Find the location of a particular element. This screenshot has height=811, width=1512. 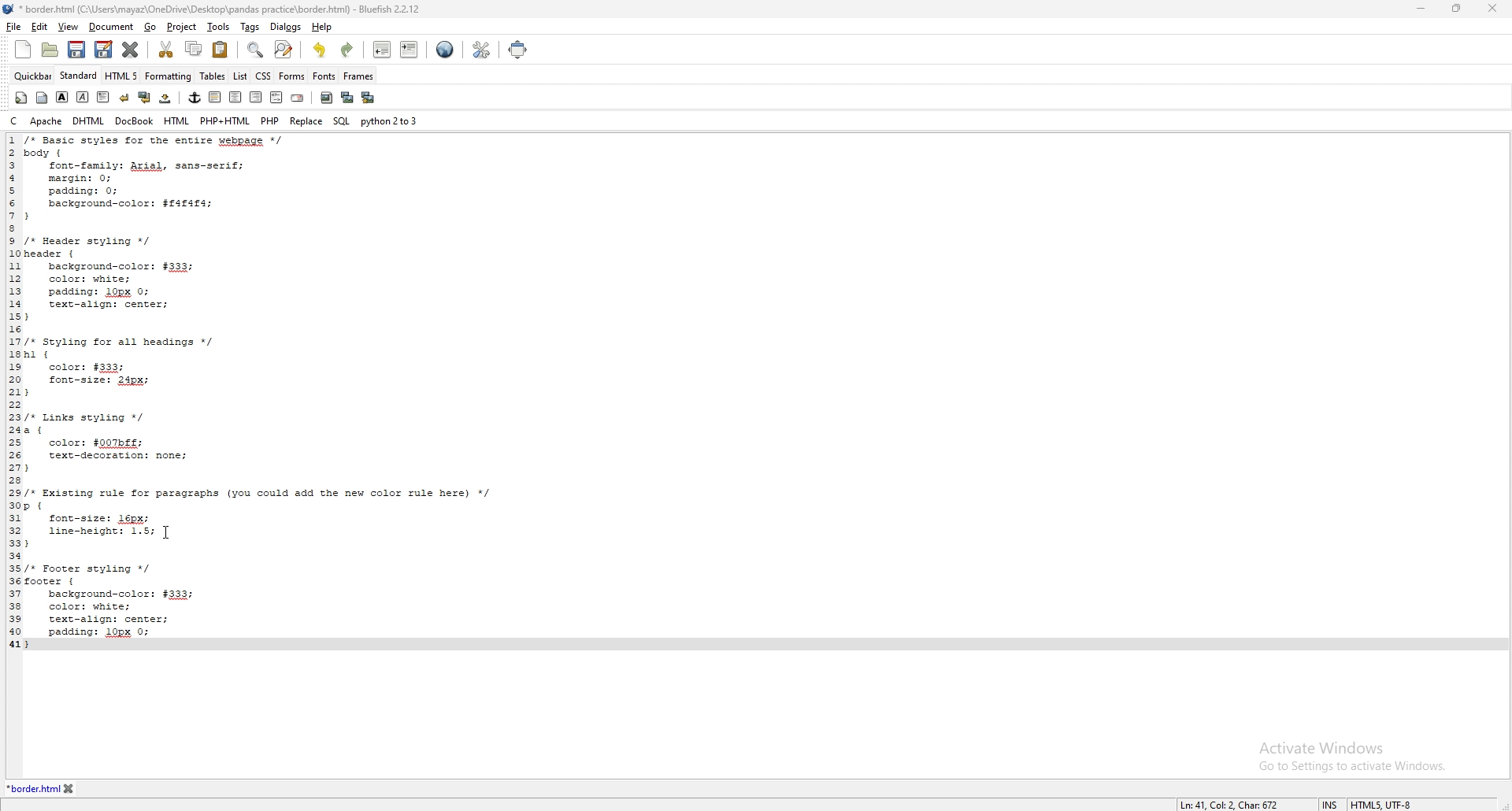

quickbar is located at coordinates (34, 76).